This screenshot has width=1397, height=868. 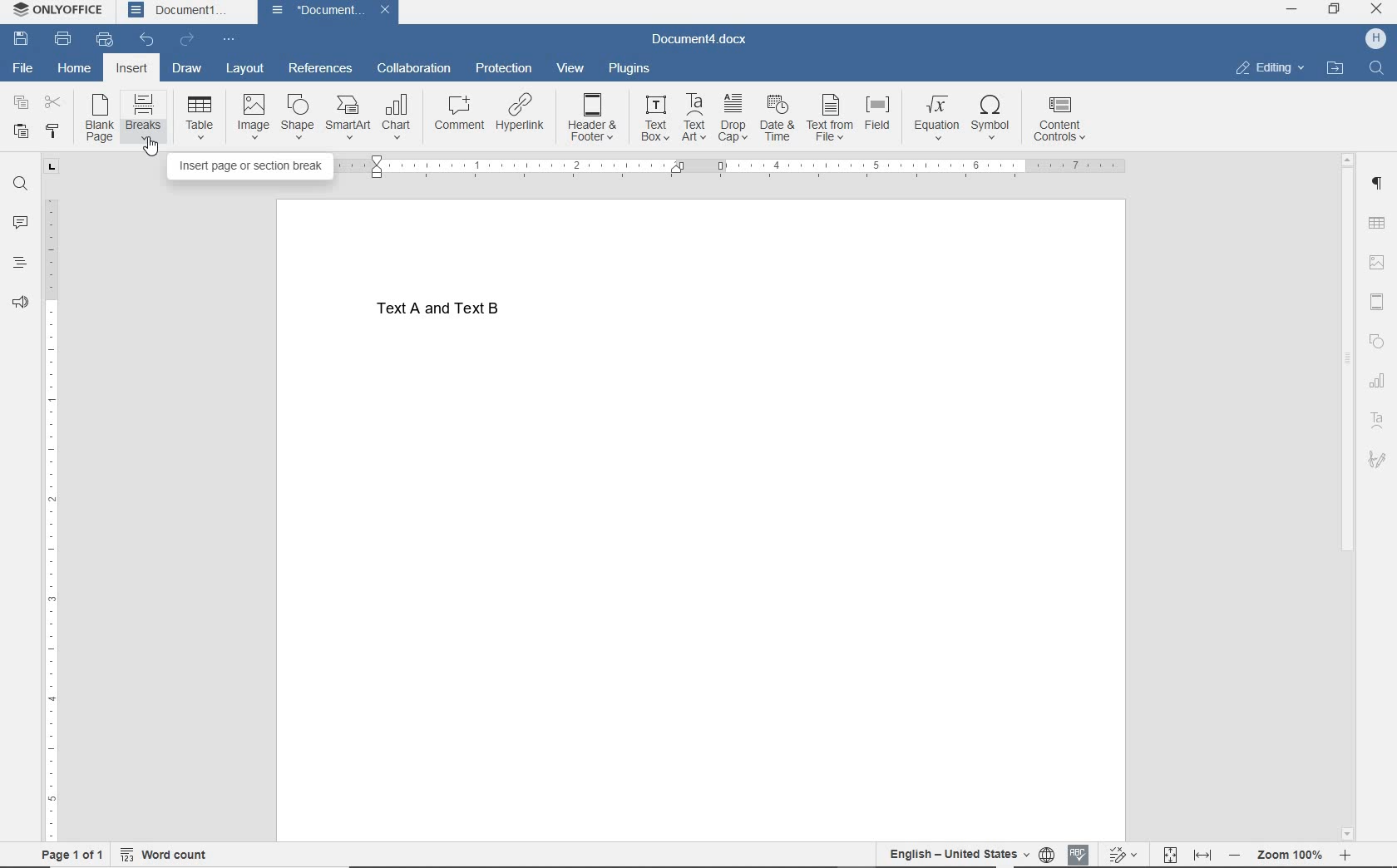 What do you see at coordinates (655, 119) in the screenshot?
I see `TEXT BOX` at bounding box center [655, 119].